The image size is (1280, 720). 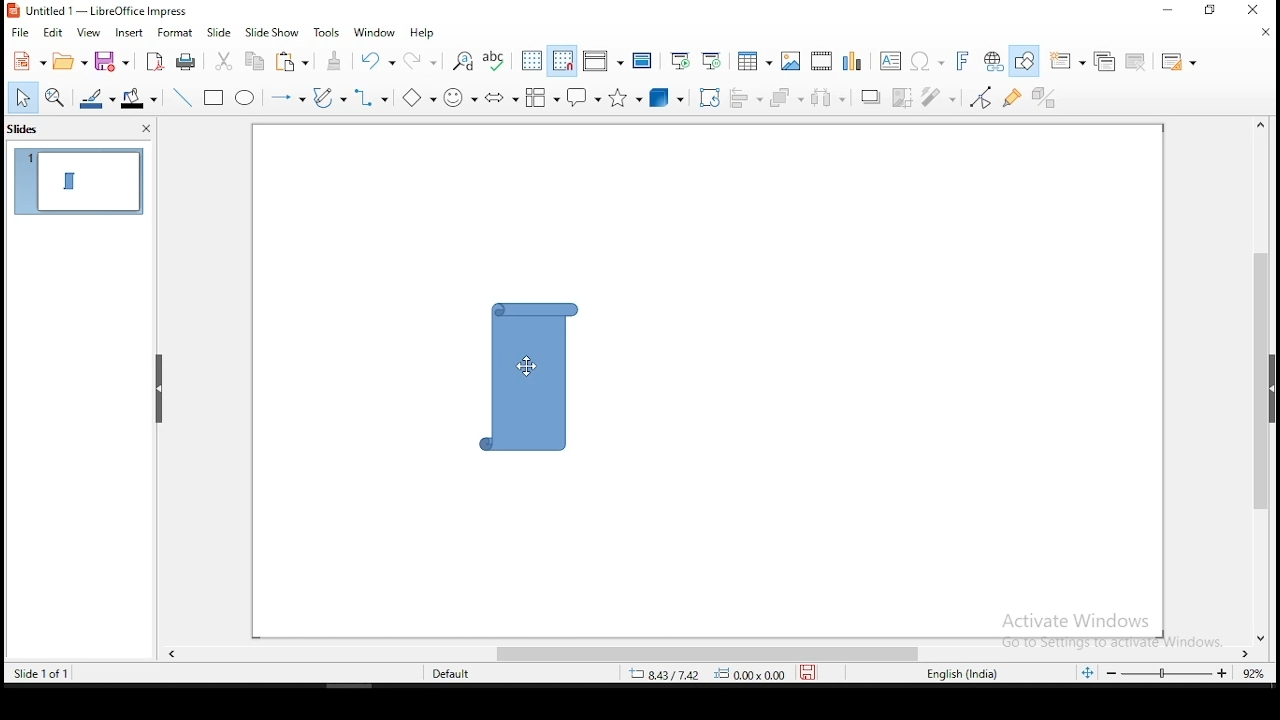 What do you see at coordinates (683, 60) in the screenshot?
I see `start from first slide` at bounding box center [683, 60].